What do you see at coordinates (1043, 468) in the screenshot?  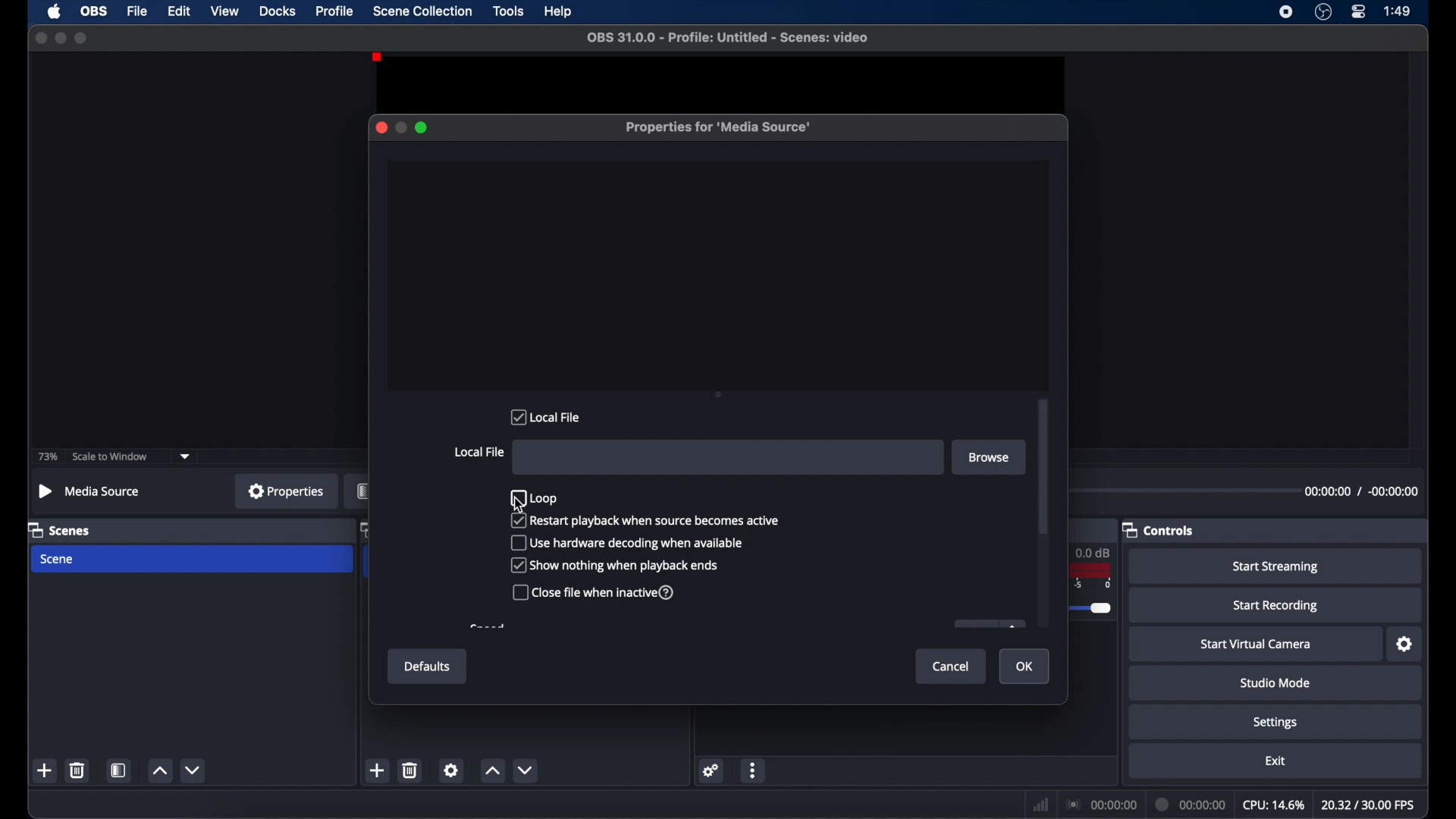 I see `scroll box` at bounding box center [1043, 468].